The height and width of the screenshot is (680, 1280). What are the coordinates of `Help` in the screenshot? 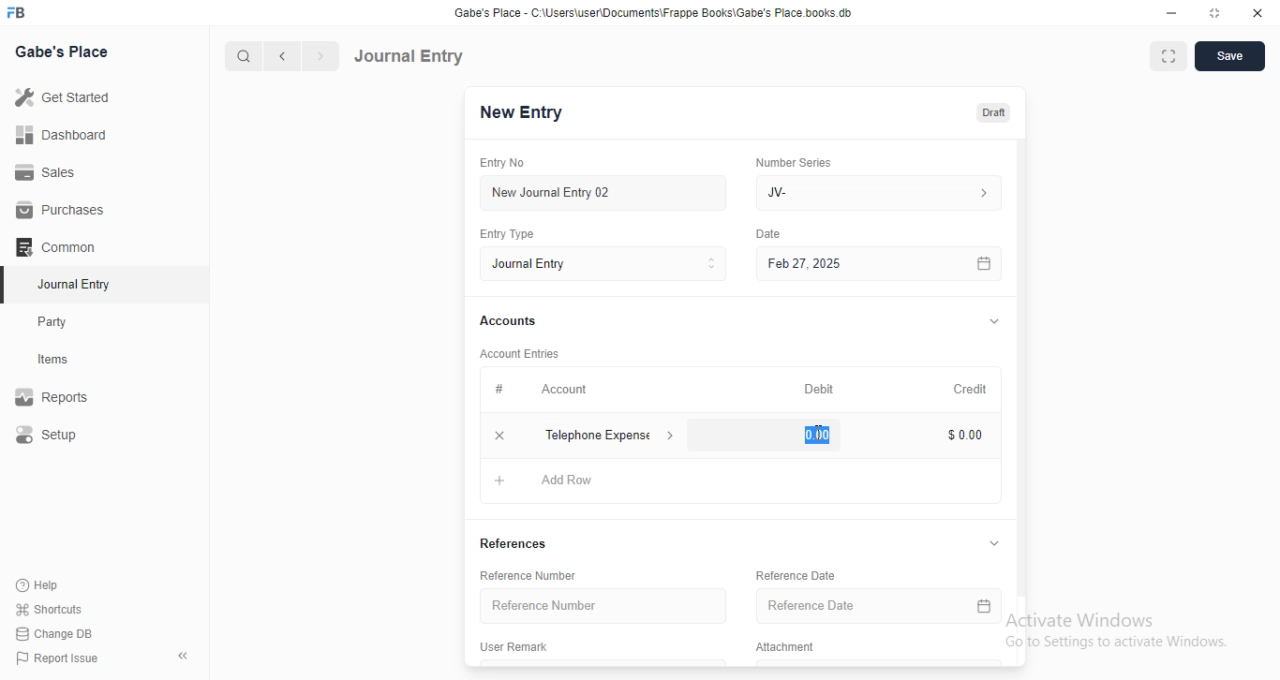 It's located at (36, 585).